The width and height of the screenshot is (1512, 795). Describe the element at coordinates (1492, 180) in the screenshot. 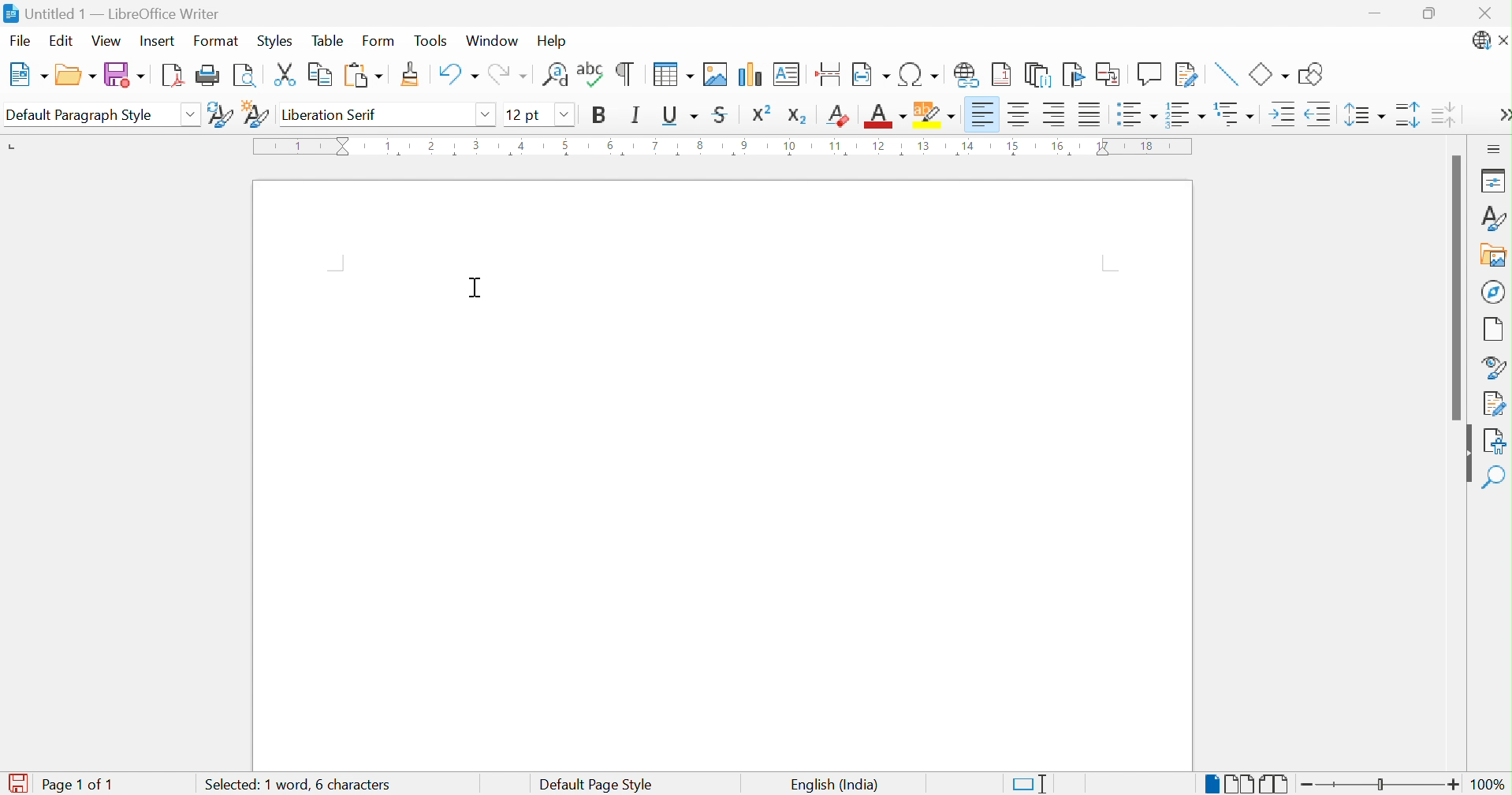

I see `Properties` at that location.